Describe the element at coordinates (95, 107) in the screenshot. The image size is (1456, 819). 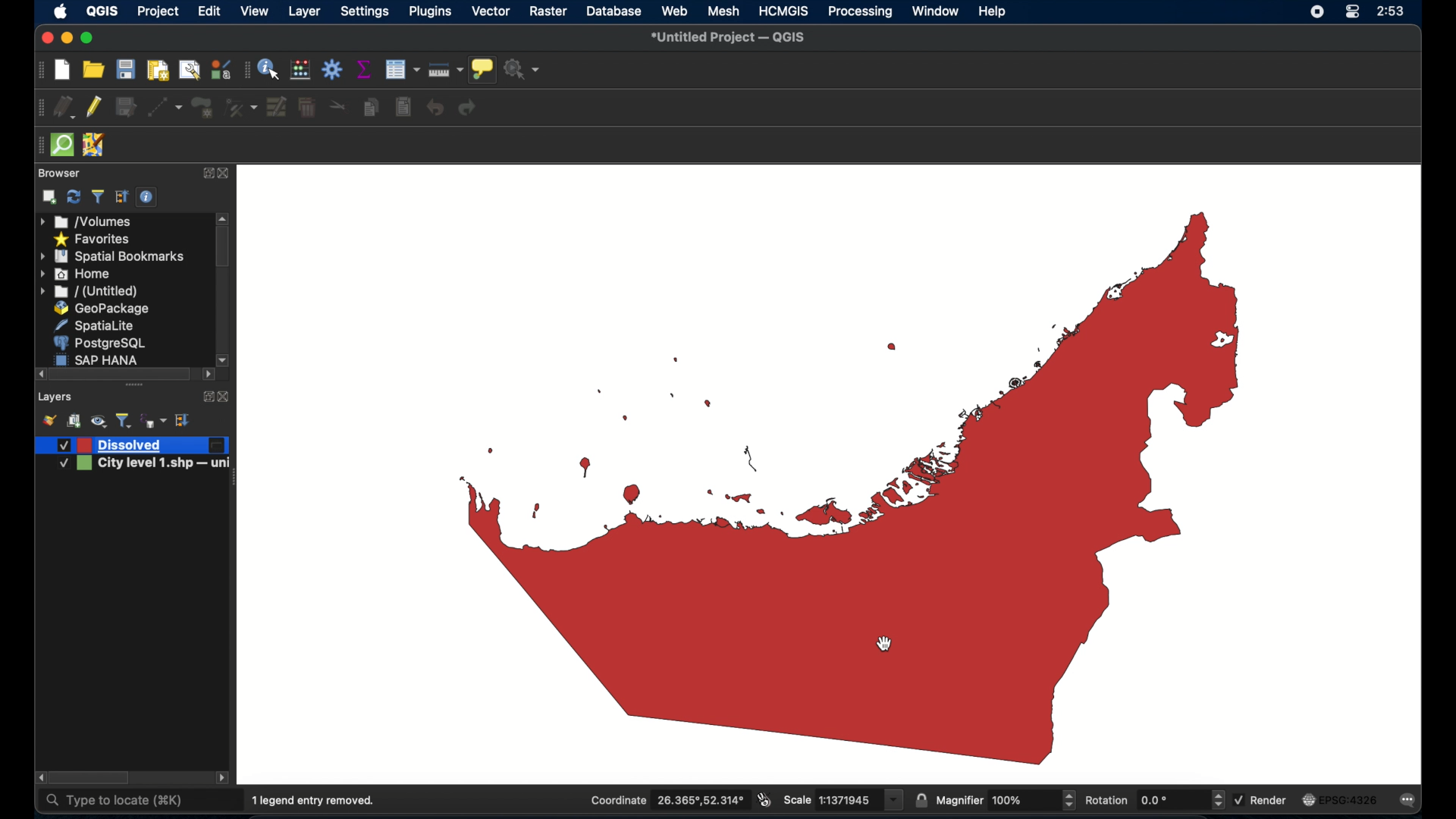
I see `toggle editing` at that location.